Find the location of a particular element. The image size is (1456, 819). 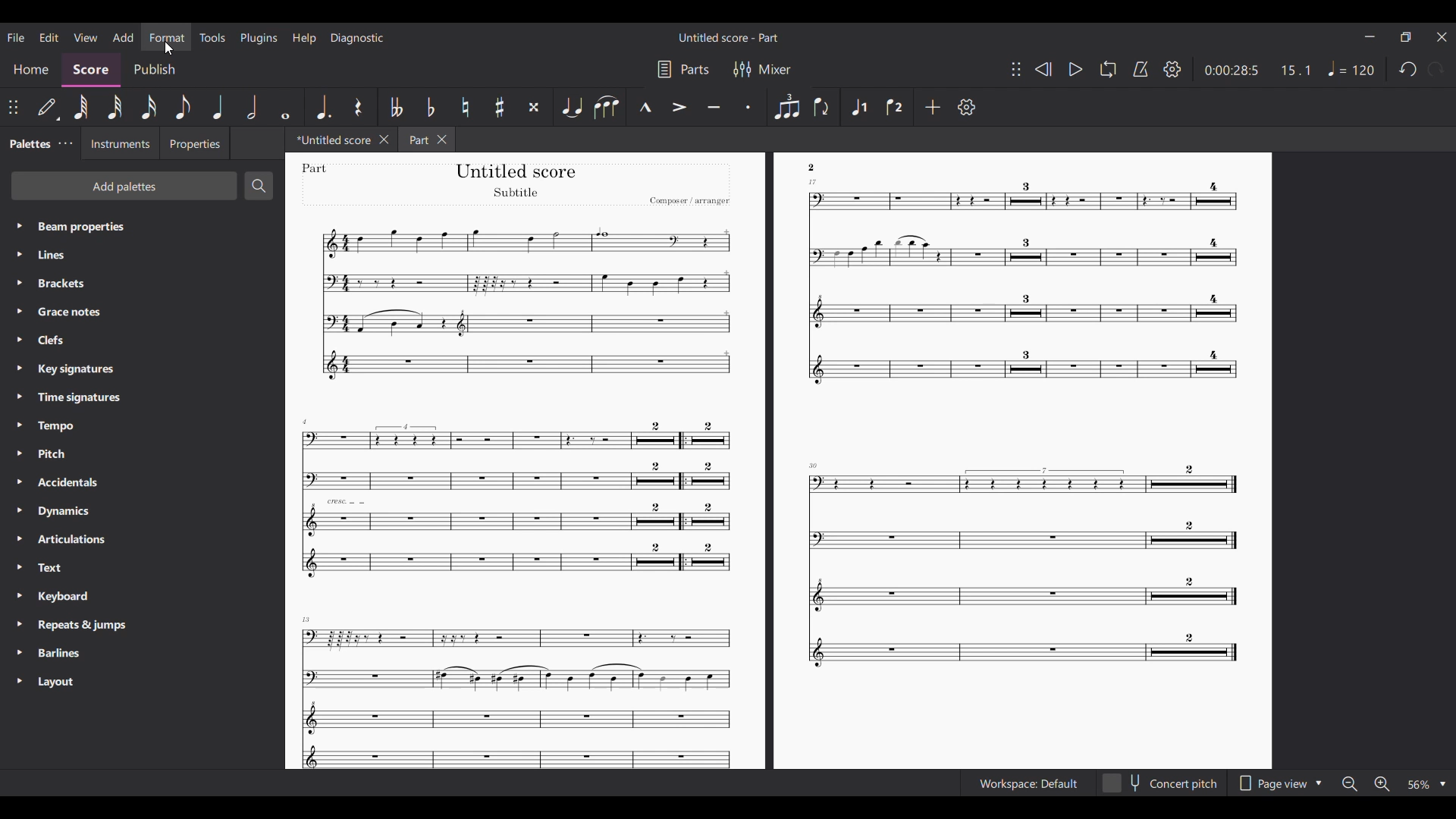

Toggle flat is located at coordinates (431, 108).